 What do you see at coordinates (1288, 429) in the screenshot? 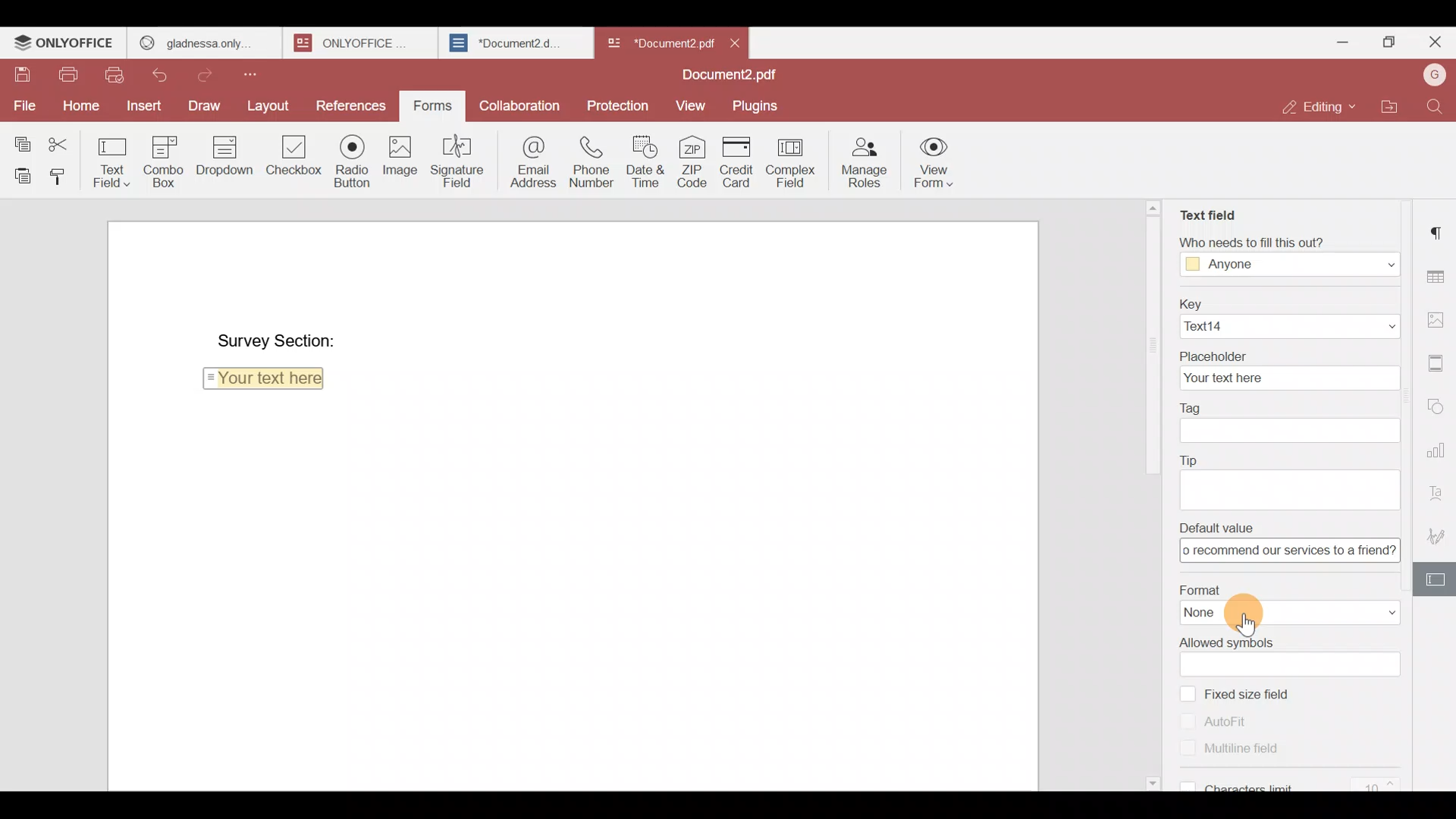
I see `textbox` at bounding box center [1288, 429].